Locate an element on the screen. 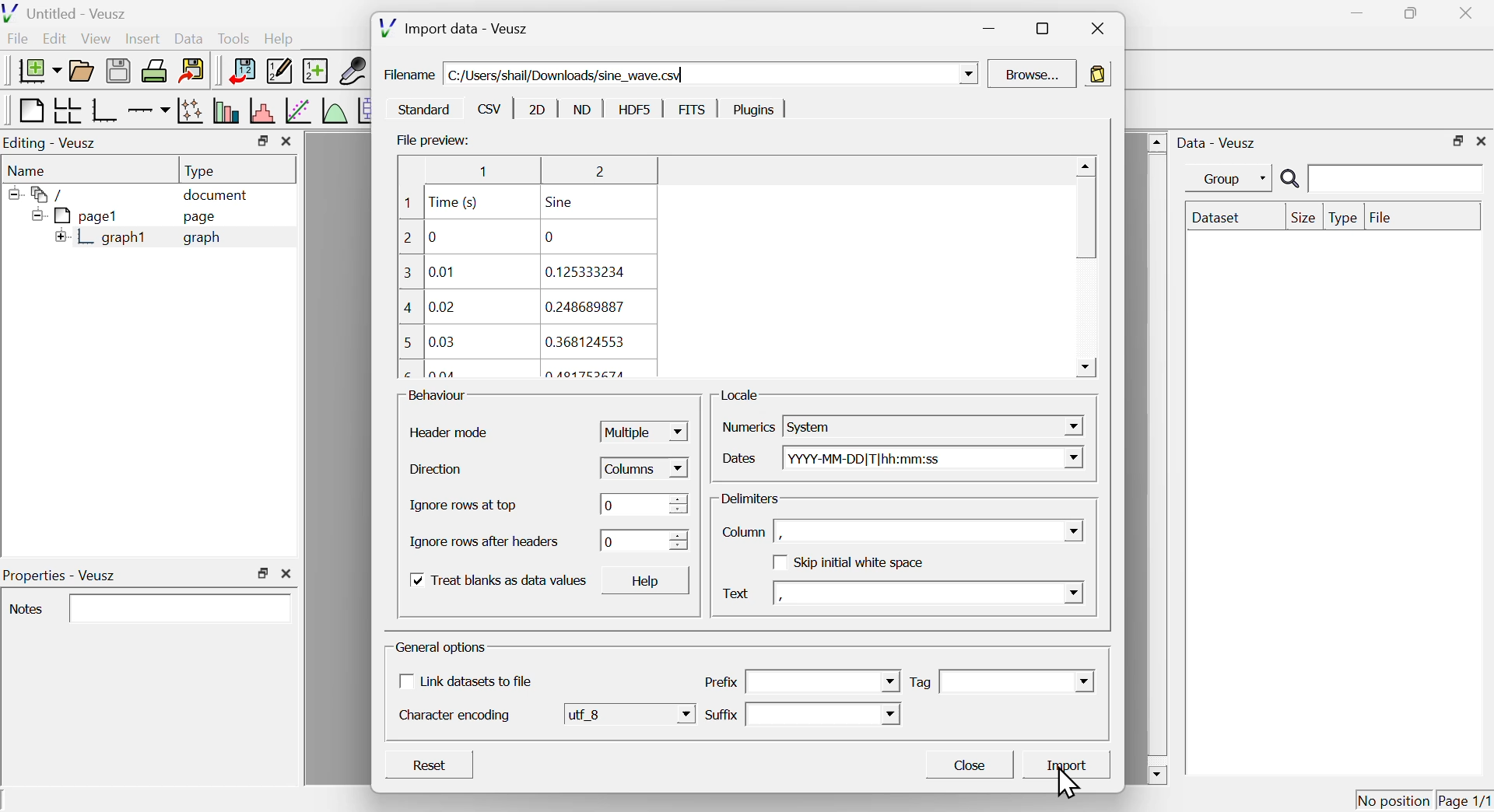 This screenshot has height=812, width=1494. 0 is located at coordinates (552, 236).